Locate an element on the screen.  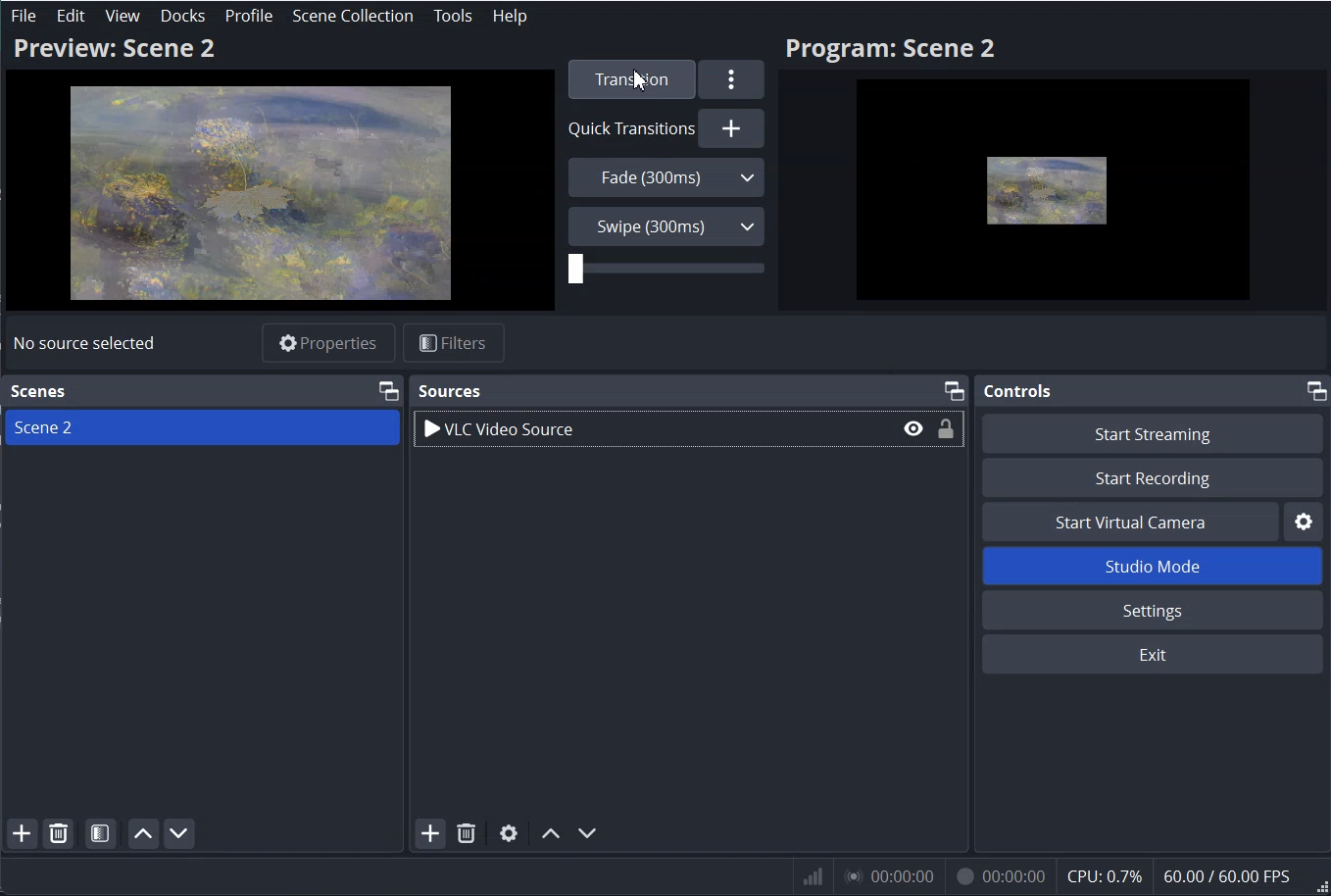
Maximize is located at coordinates (955, 390).